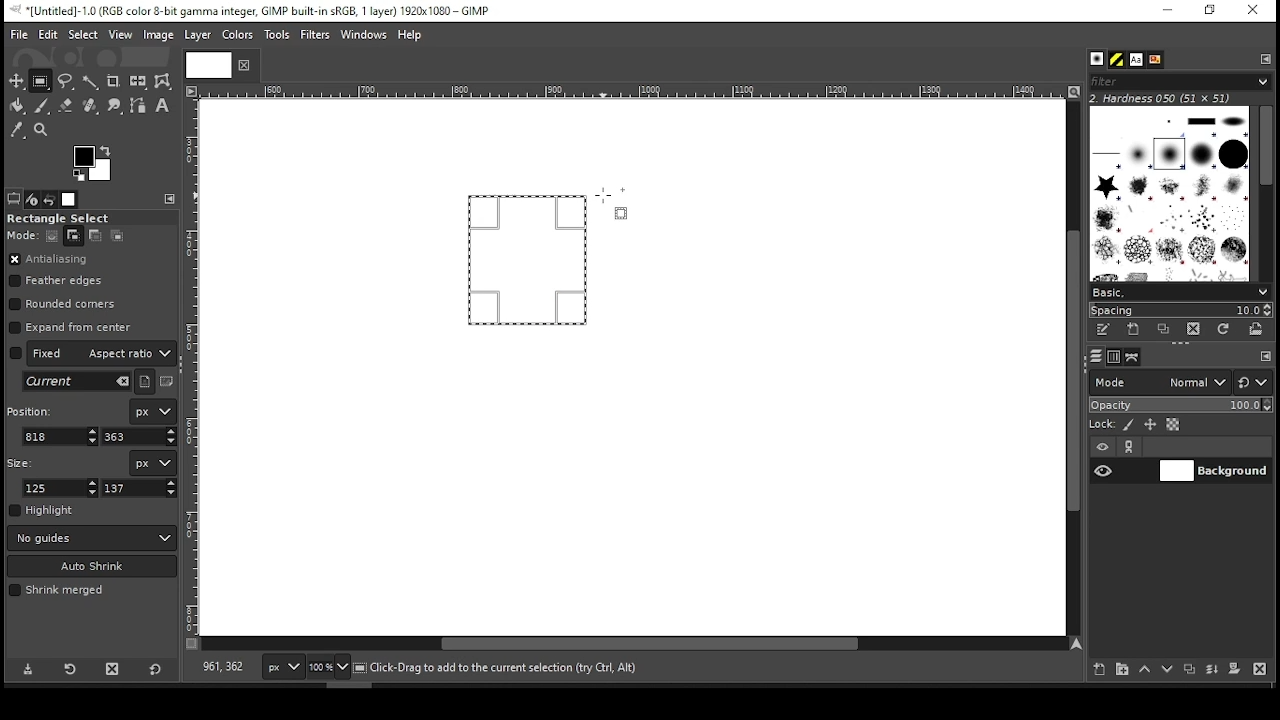  I want to click on layer , so click(1213, 471).